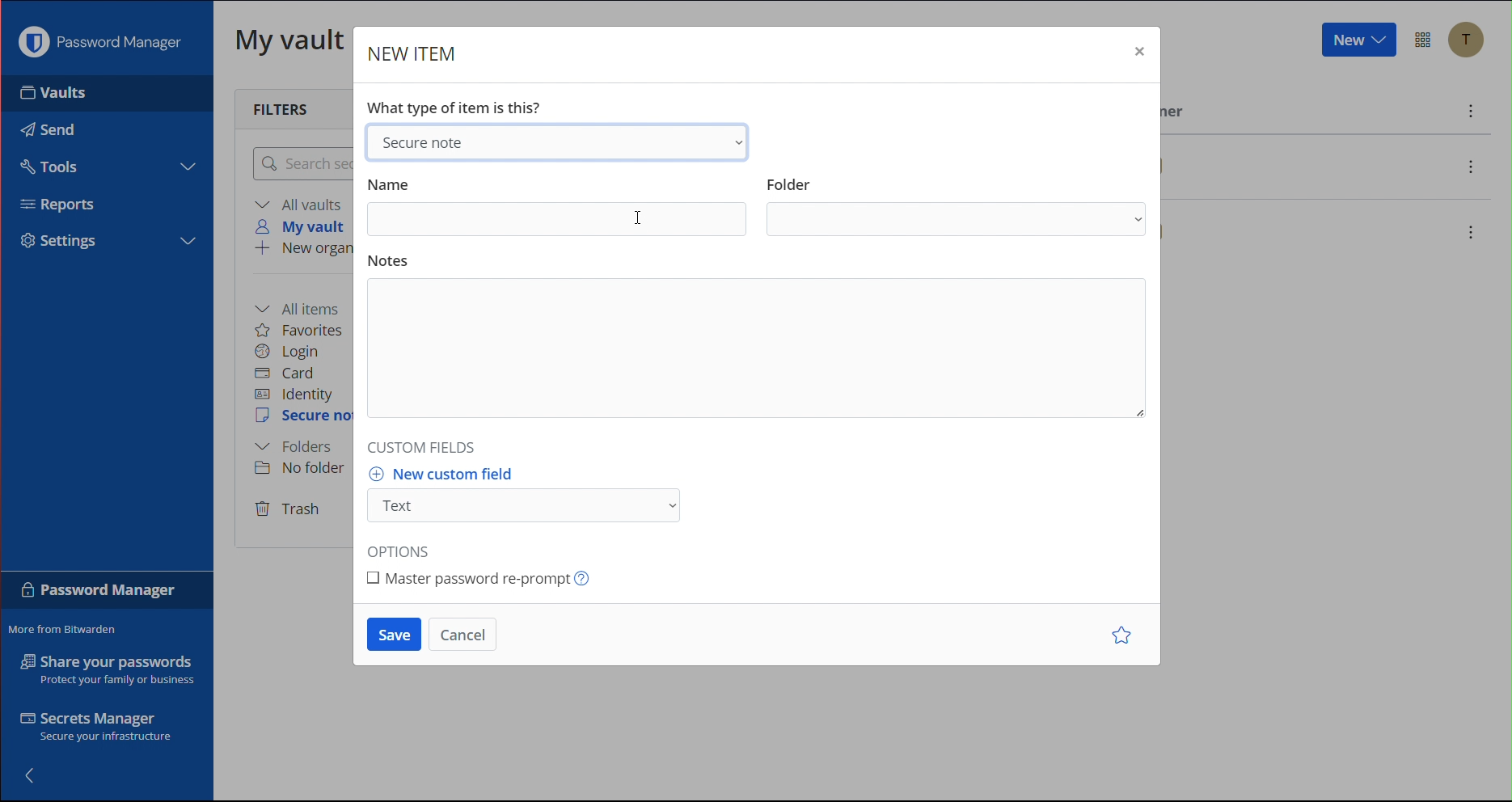 This screenshot has height=802, width=1512. I want to click on Identity, so click(298, 394).